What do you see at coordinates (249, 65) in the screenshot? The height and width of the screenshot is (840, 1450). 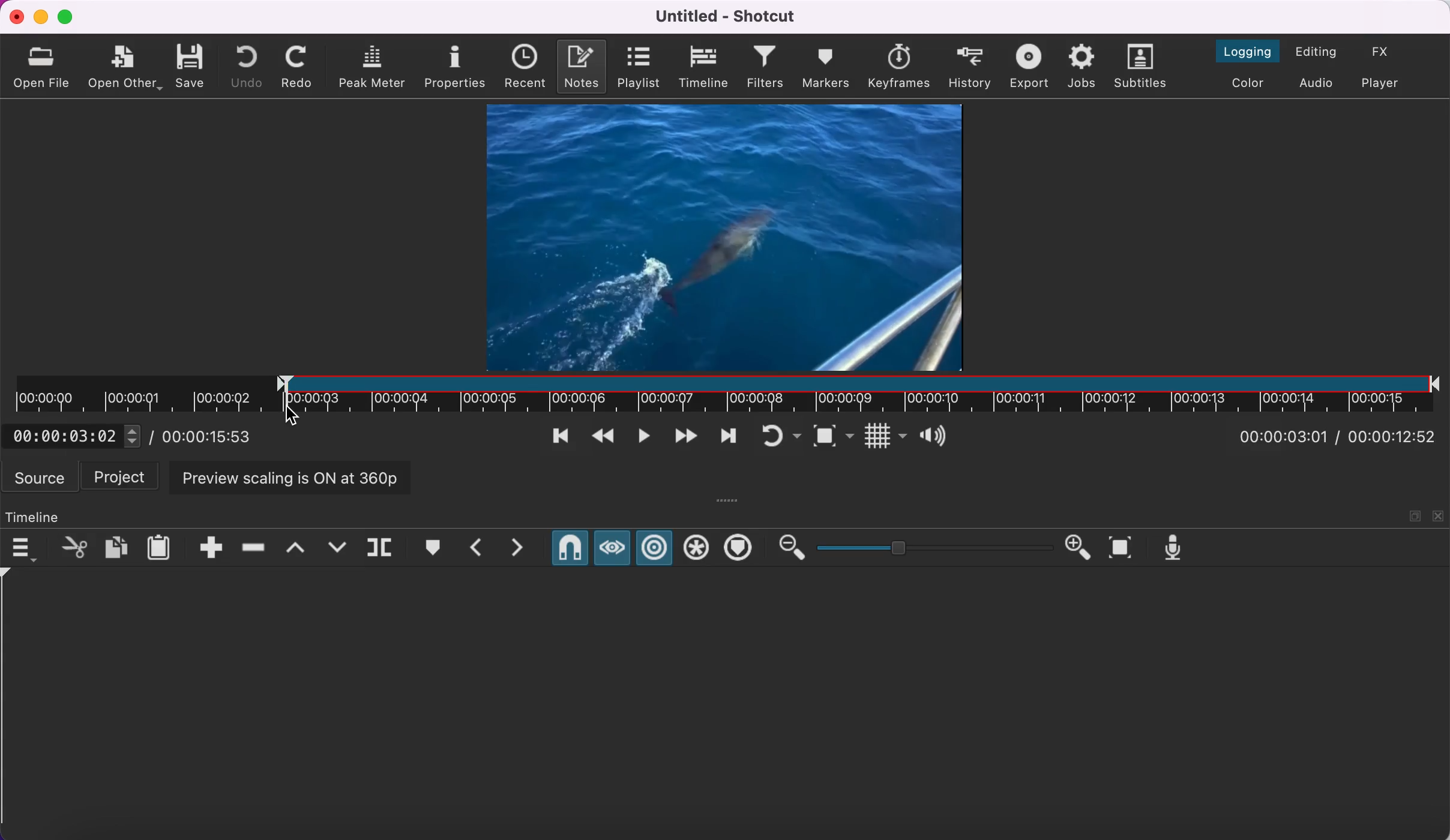 I see `undo` at bounding box center [249, 65].